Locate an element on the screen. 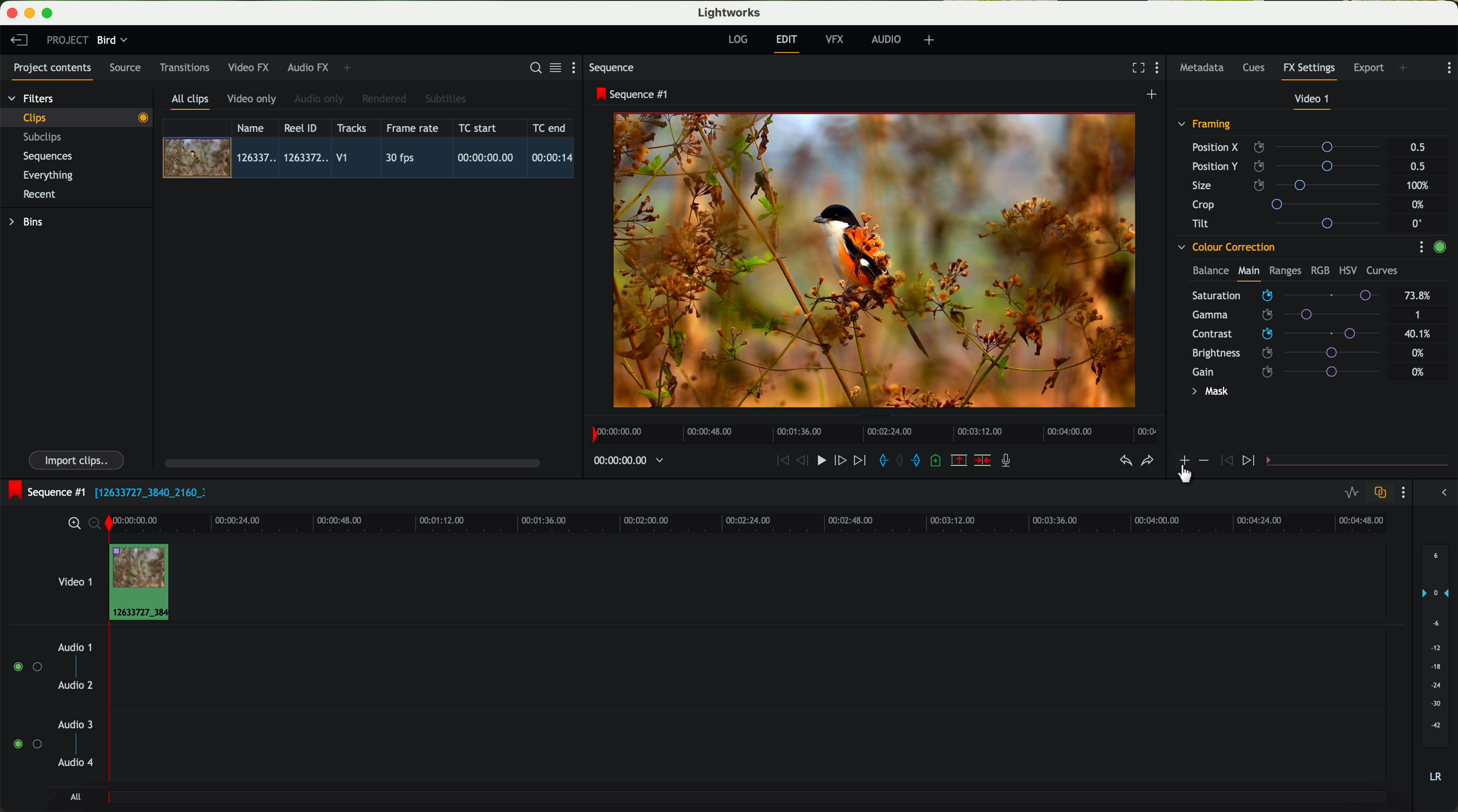  show settings menu is located at coordinates (578, 67).